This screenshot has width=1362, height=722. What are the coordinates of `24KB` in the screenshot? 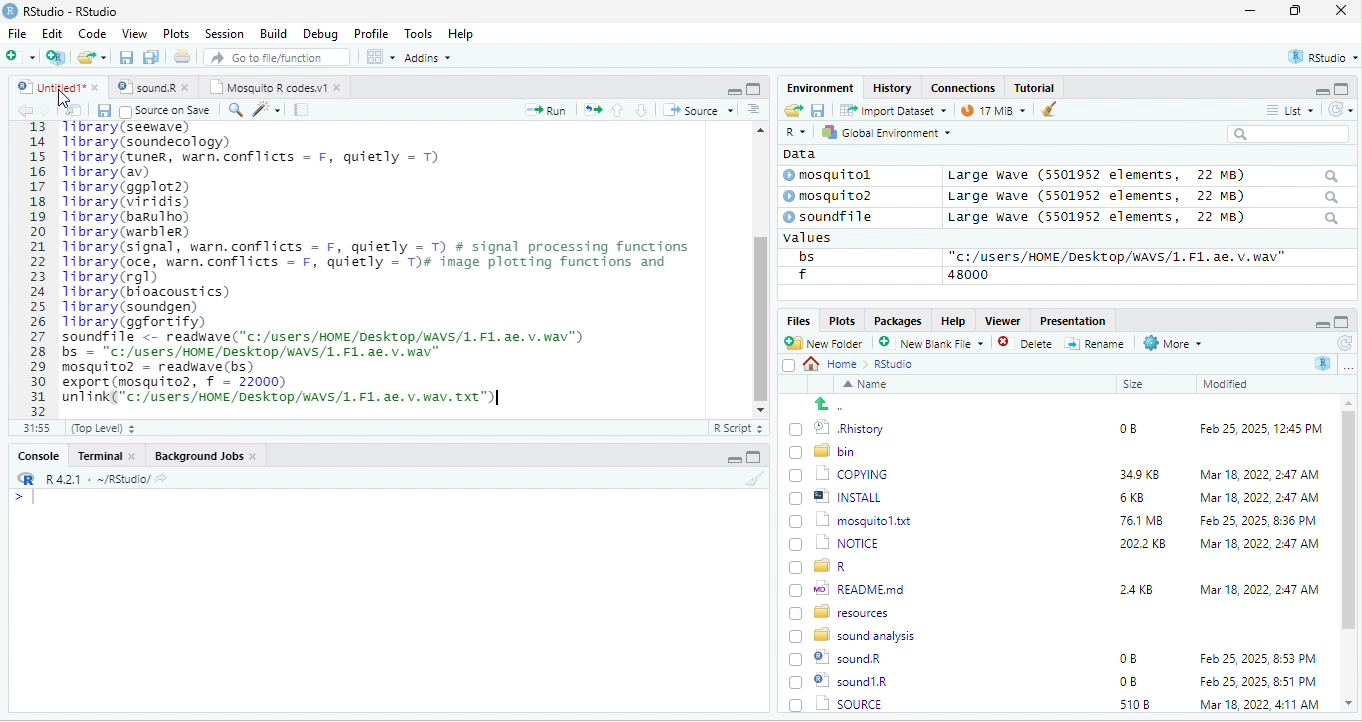 It's located at (1133, 588).